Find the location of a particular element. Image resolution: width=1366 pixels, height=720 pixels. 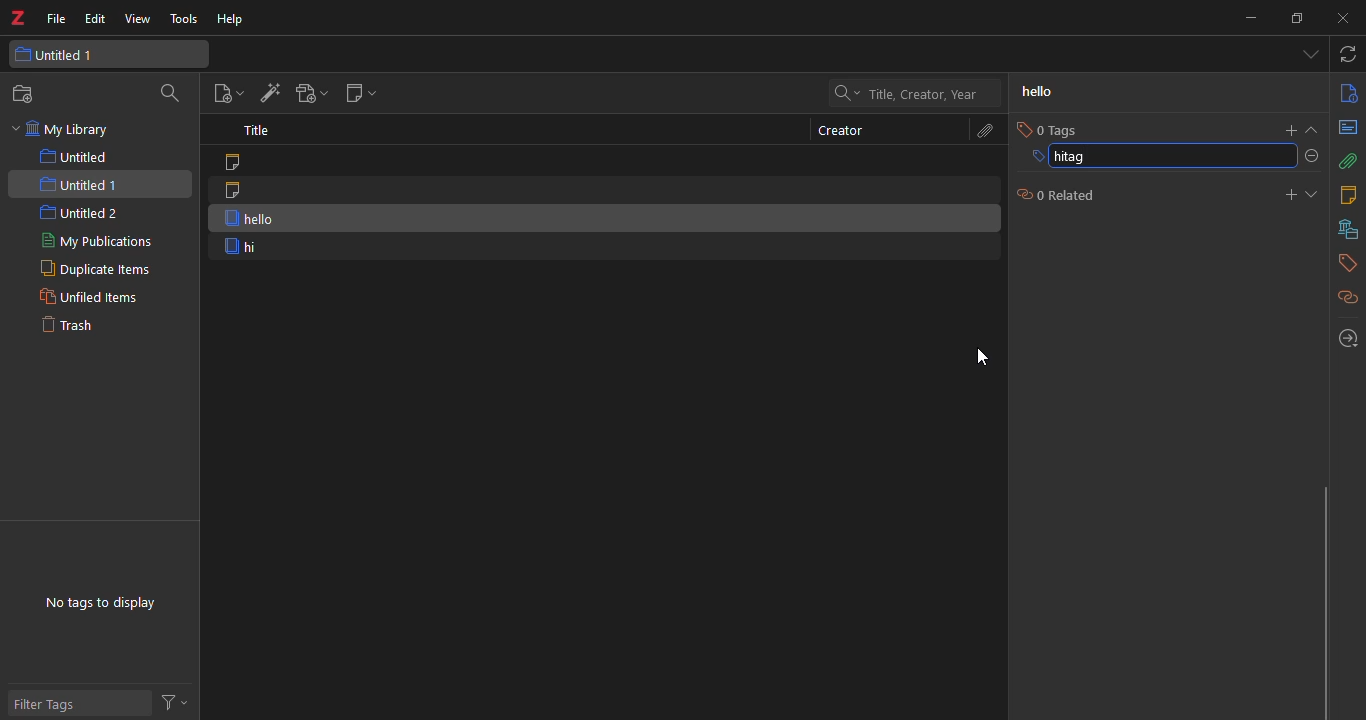

0 tags is located at coordinates (1049, 129).